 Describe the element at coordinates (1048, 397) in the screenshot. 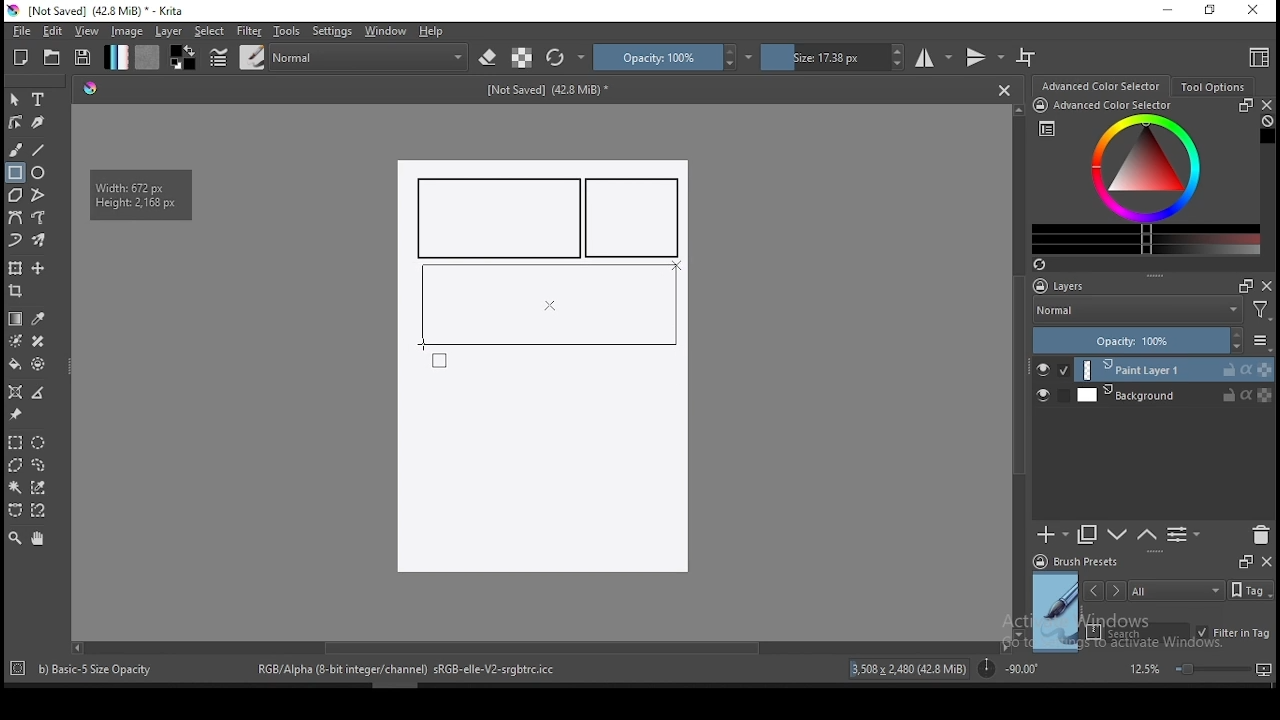

I see `layer visibility on/off` at that location.